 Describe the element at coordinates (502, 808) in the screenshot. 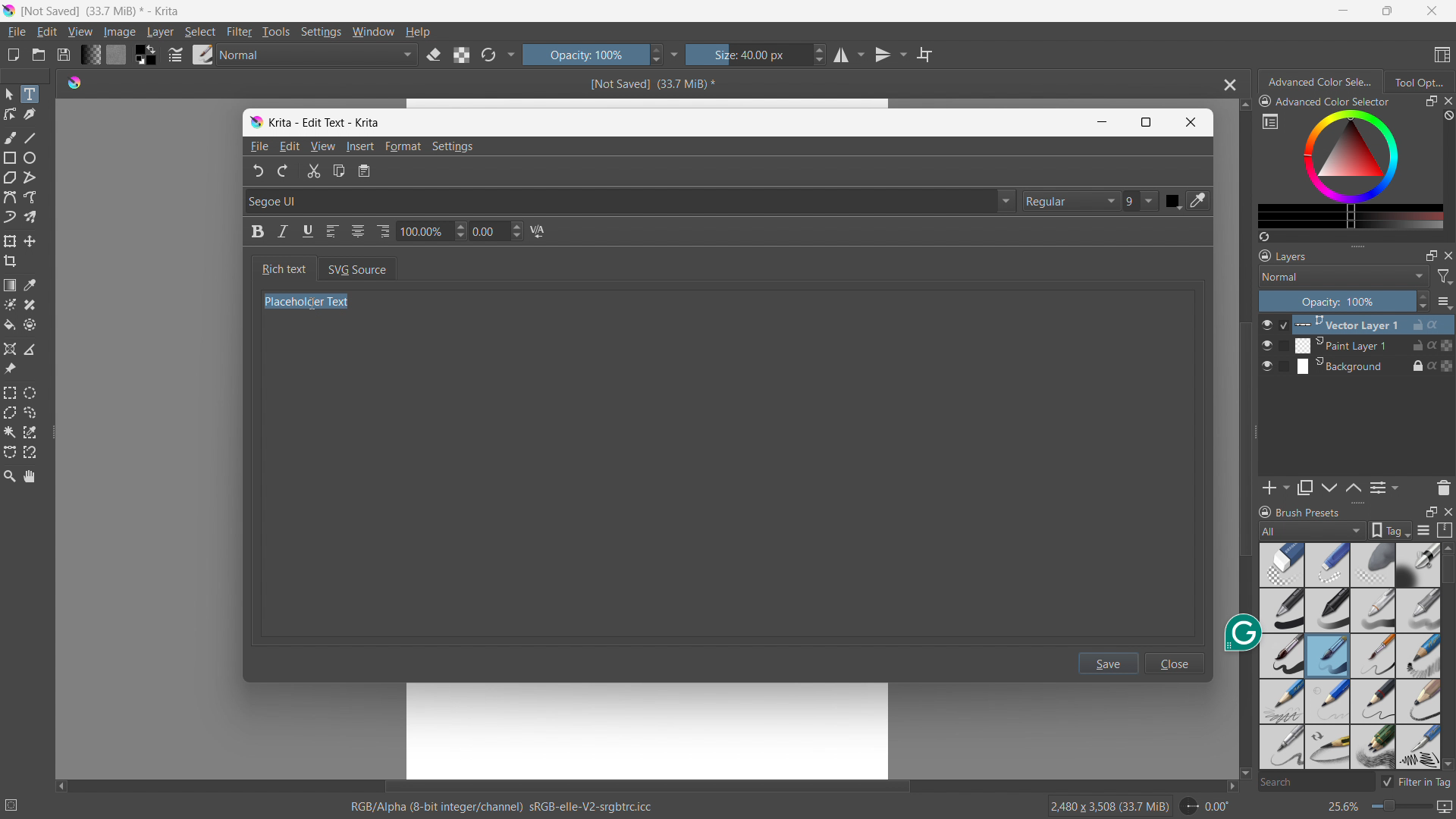

I see `RGB/ Alpha (8- bit integer/ channel)` at that location.